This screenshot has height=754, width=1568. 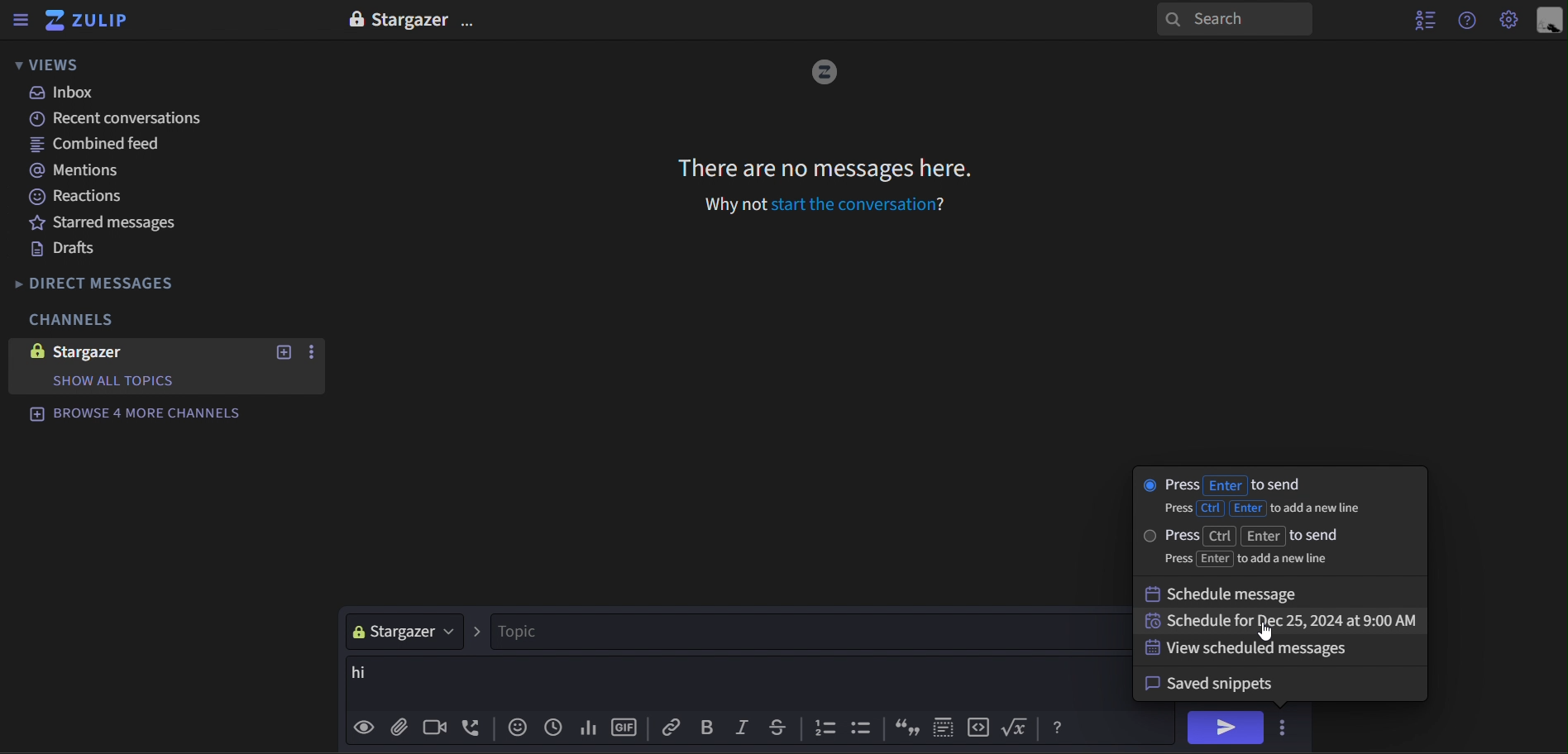 I want to click on press ctrl Enter to add a new line, so click(x=1292, y=508).